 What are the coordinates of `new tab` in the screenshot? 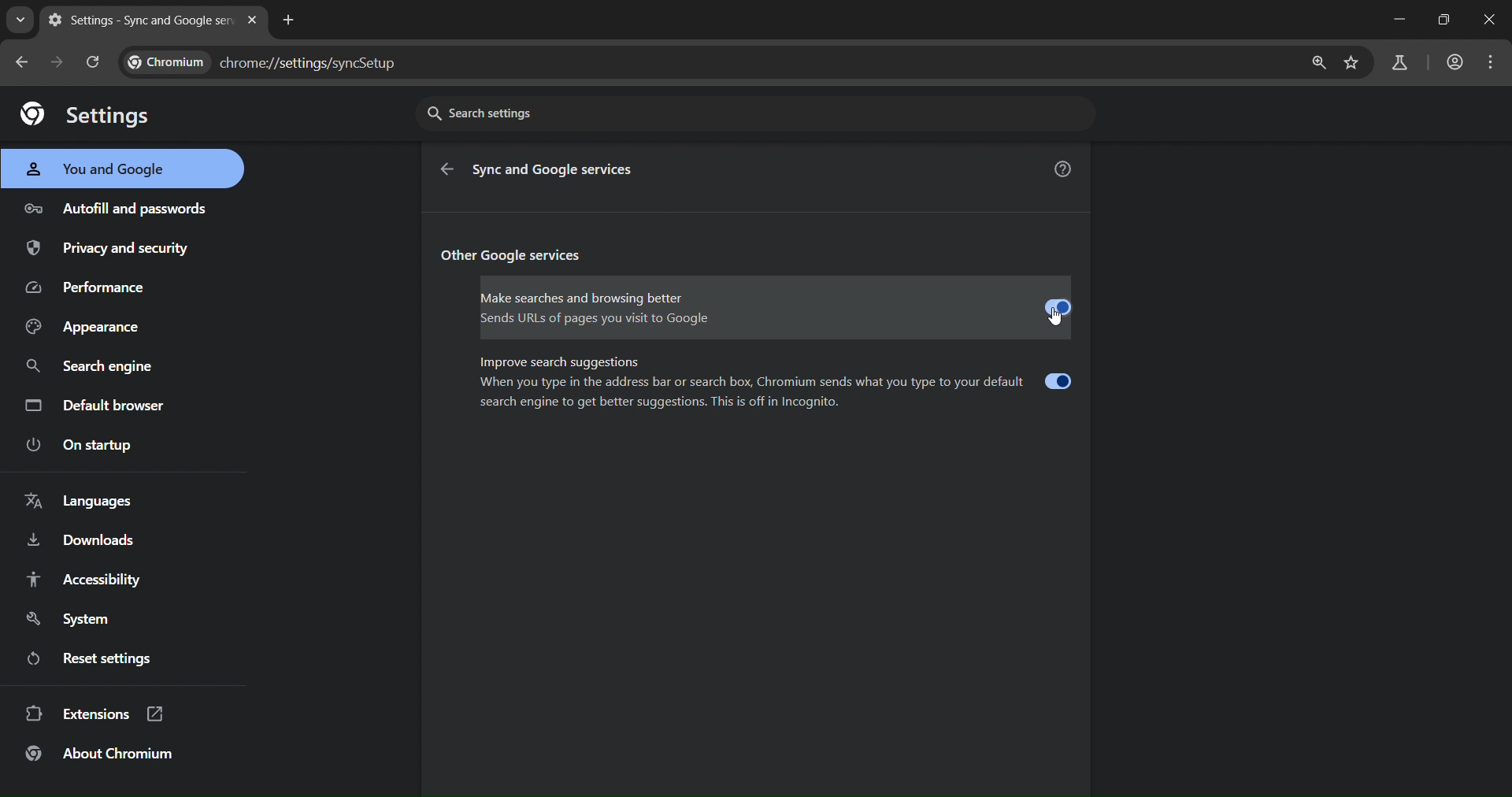 It's located at (292, 20).